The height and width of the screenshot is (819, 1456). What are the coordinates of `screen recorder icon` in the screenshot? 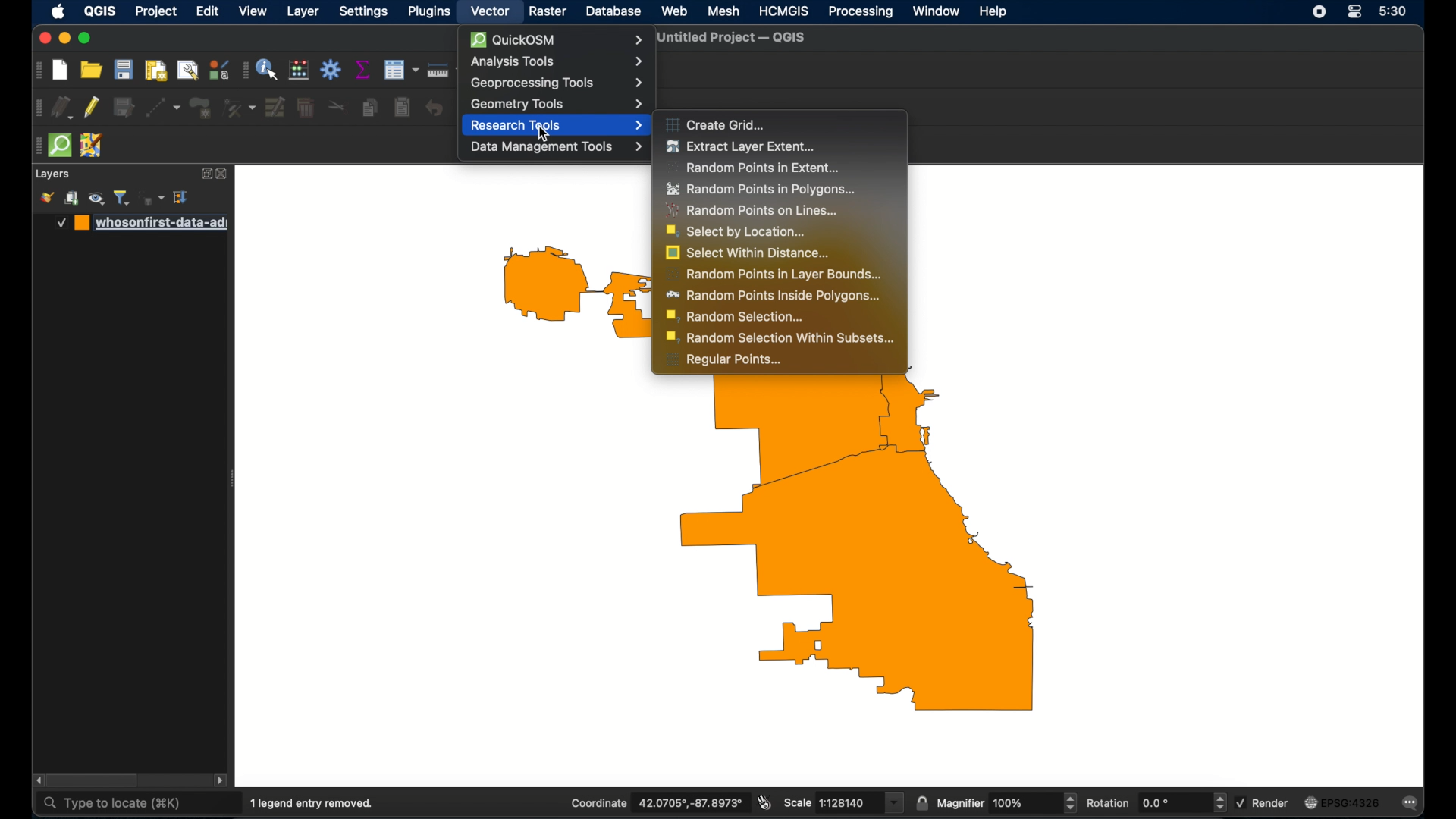 It's located at (1319, 12).